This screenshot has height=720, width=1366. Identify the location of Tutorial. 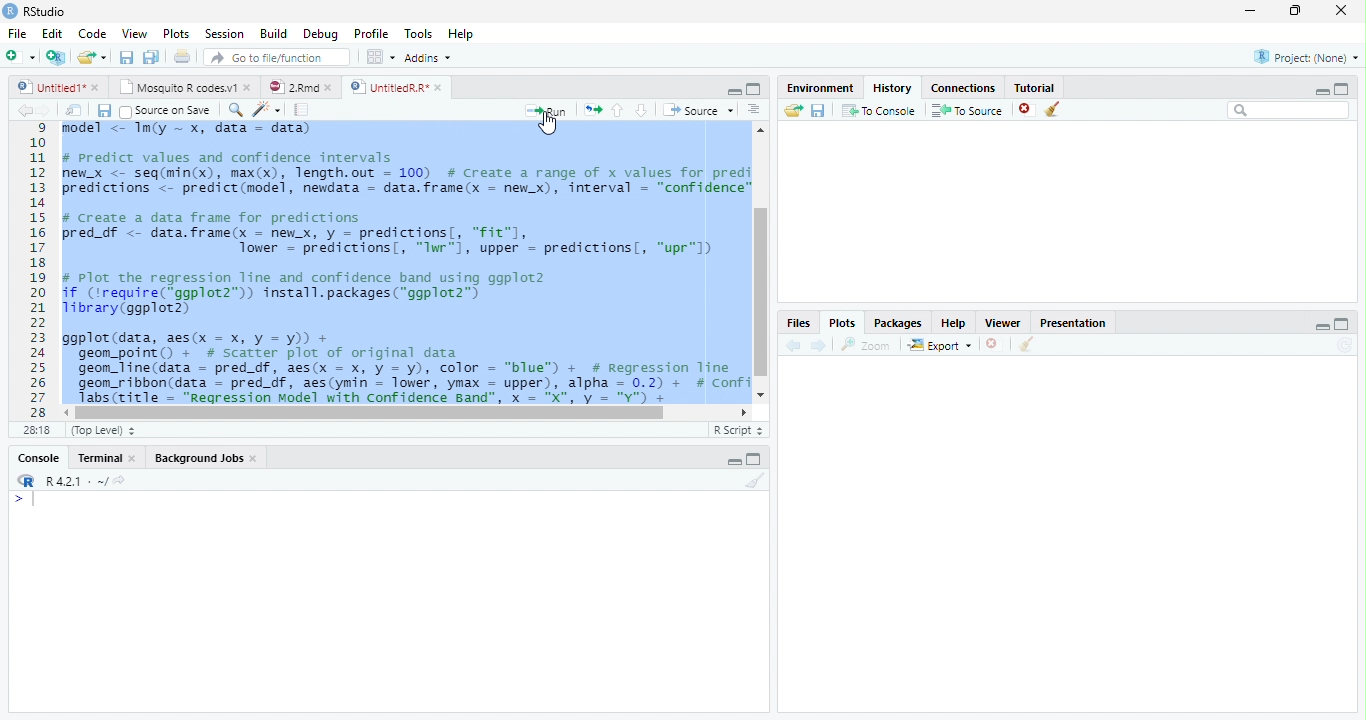
(1035, 88).